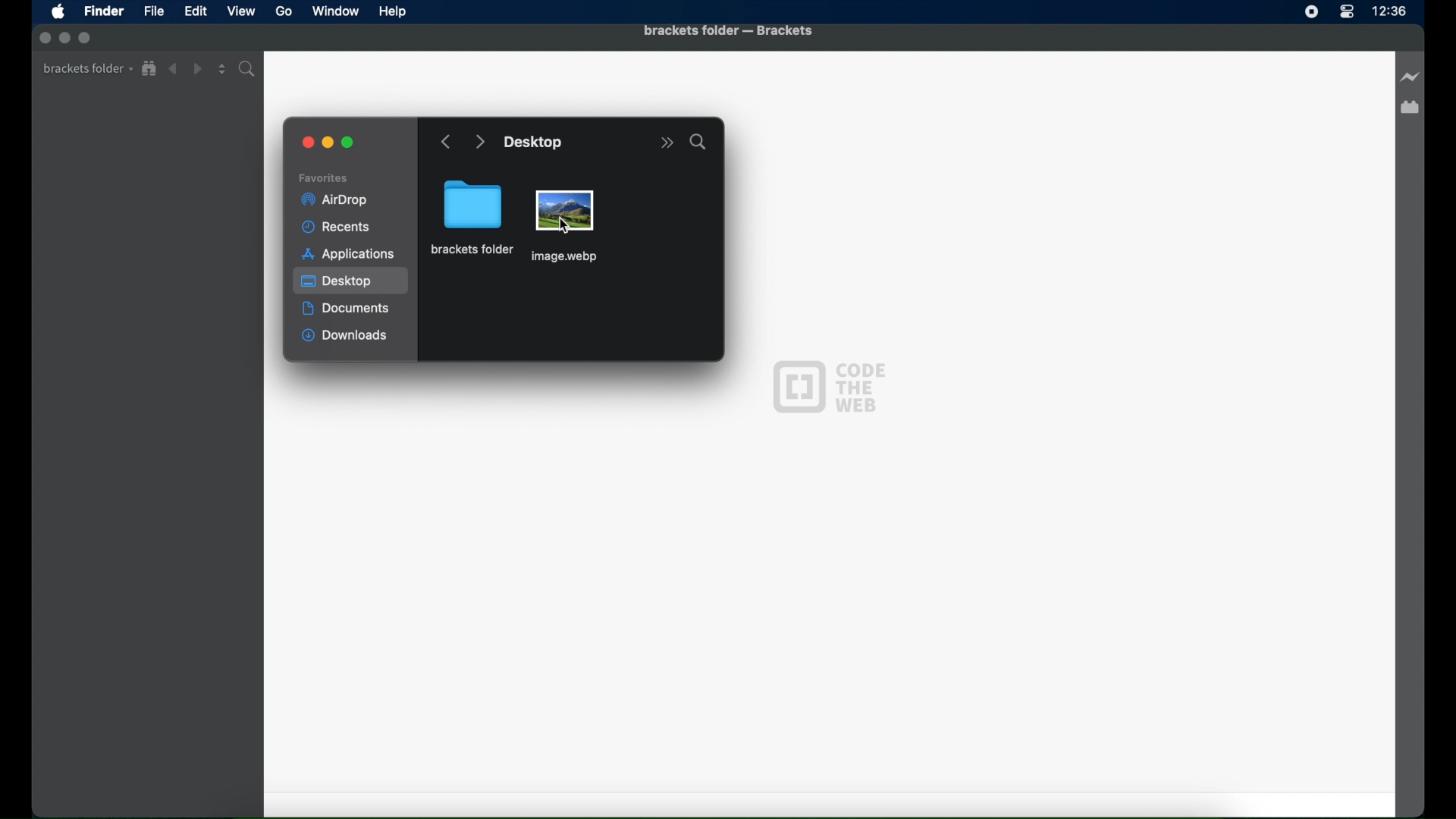 This screenshot has width=1456, height=819. I want to click on control center, so click(1347, 12).